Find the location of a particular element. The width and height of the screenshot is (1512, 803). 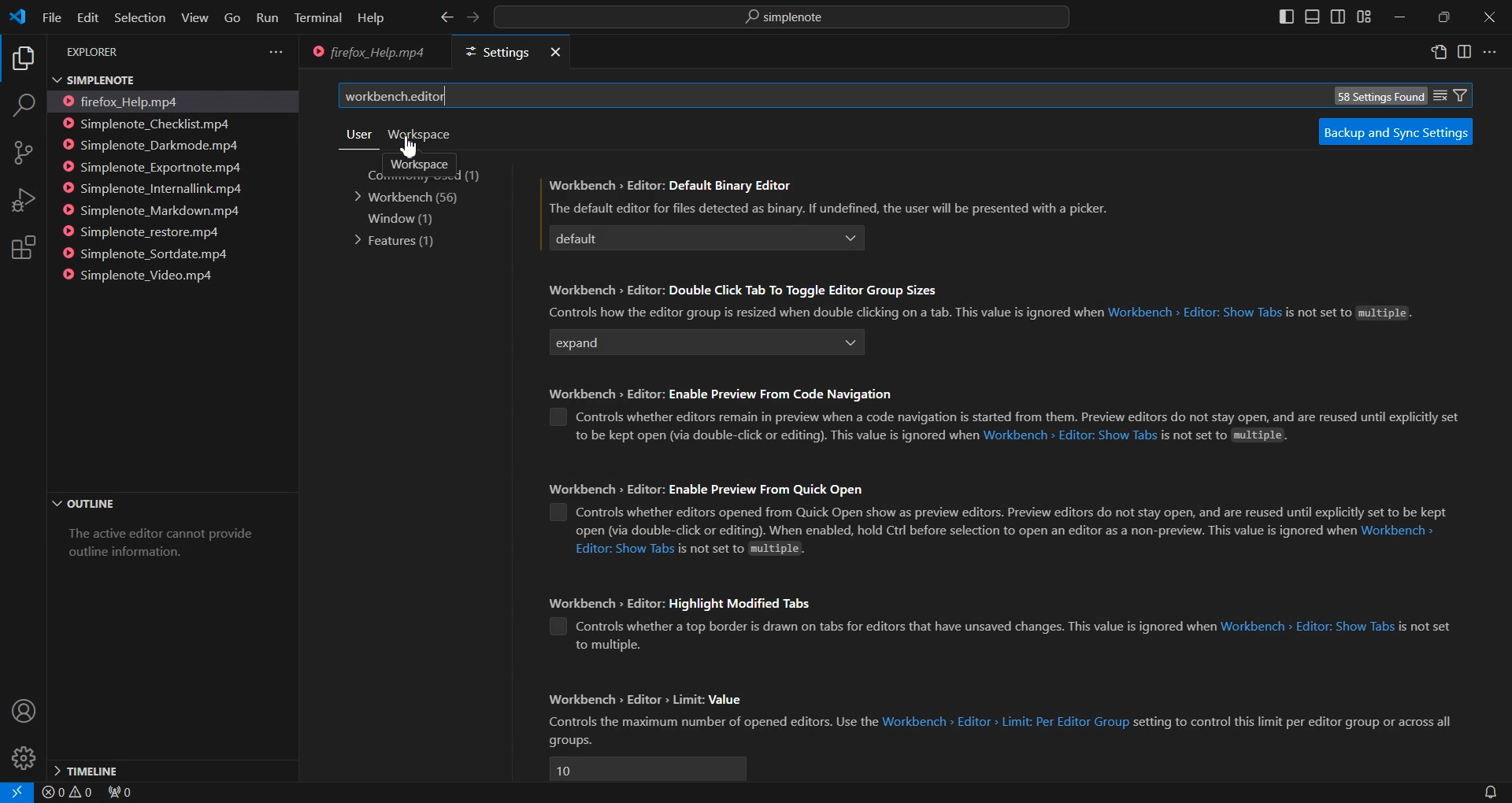

Controls how the editor group is resized when double clicking on a tab. This value is ignored when is located at coordinates (821, 313).